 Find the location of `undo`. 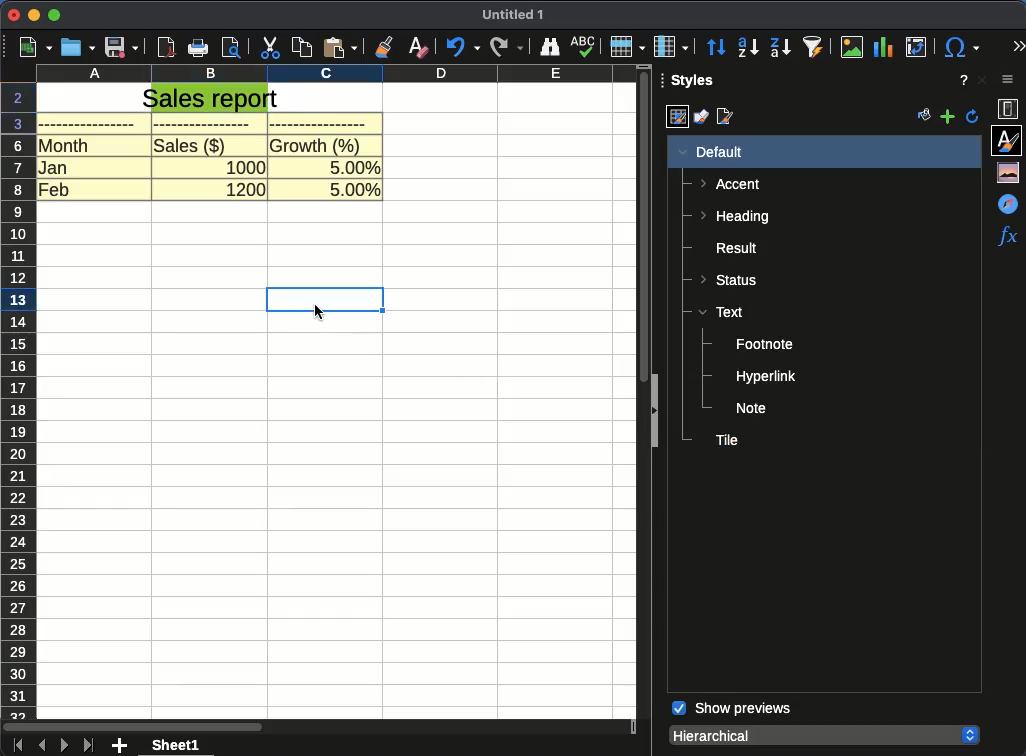

undo is located at coordinates (461, 47).